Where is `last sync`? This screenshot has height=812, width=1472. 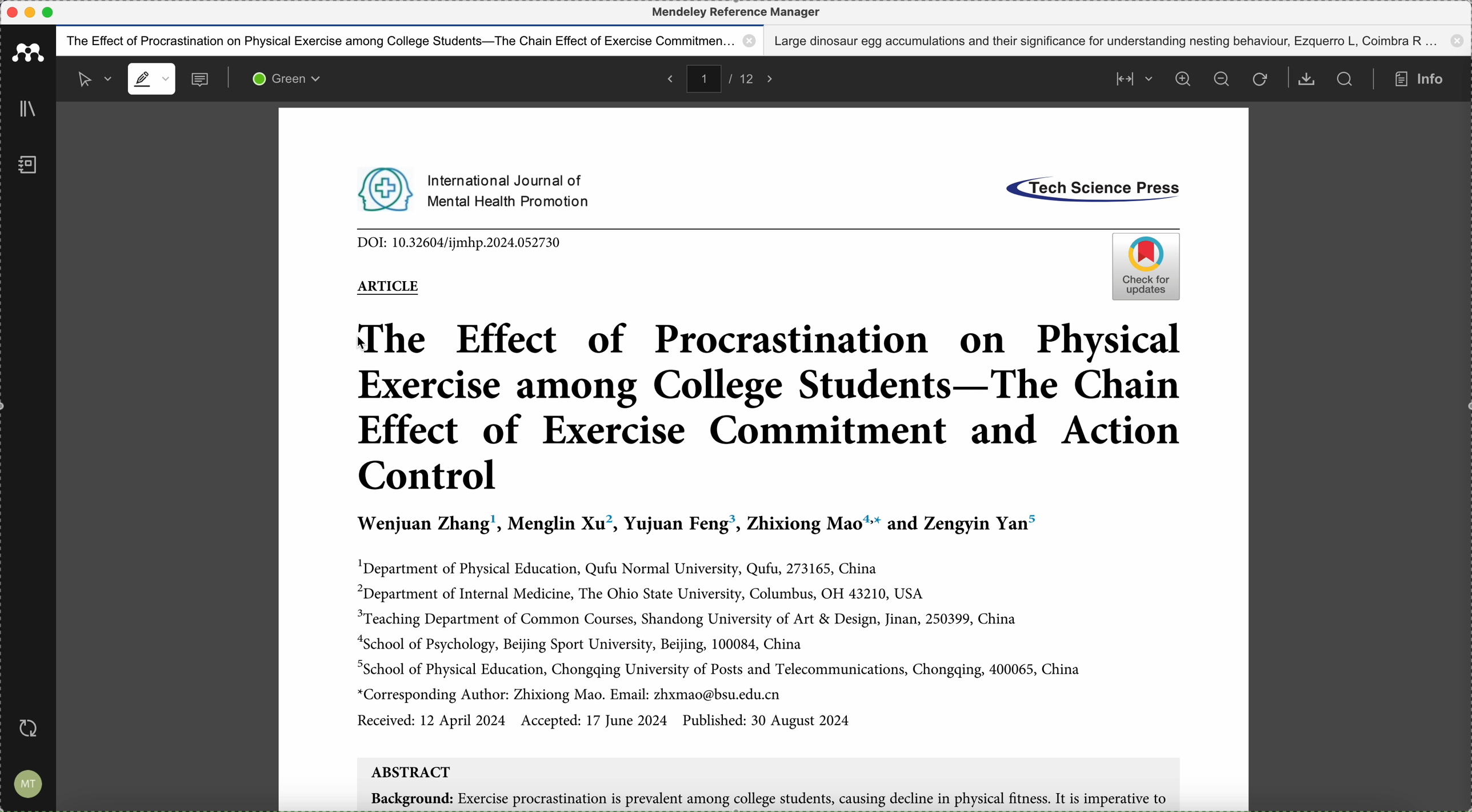 last sync is located at coordinates (33, 727).